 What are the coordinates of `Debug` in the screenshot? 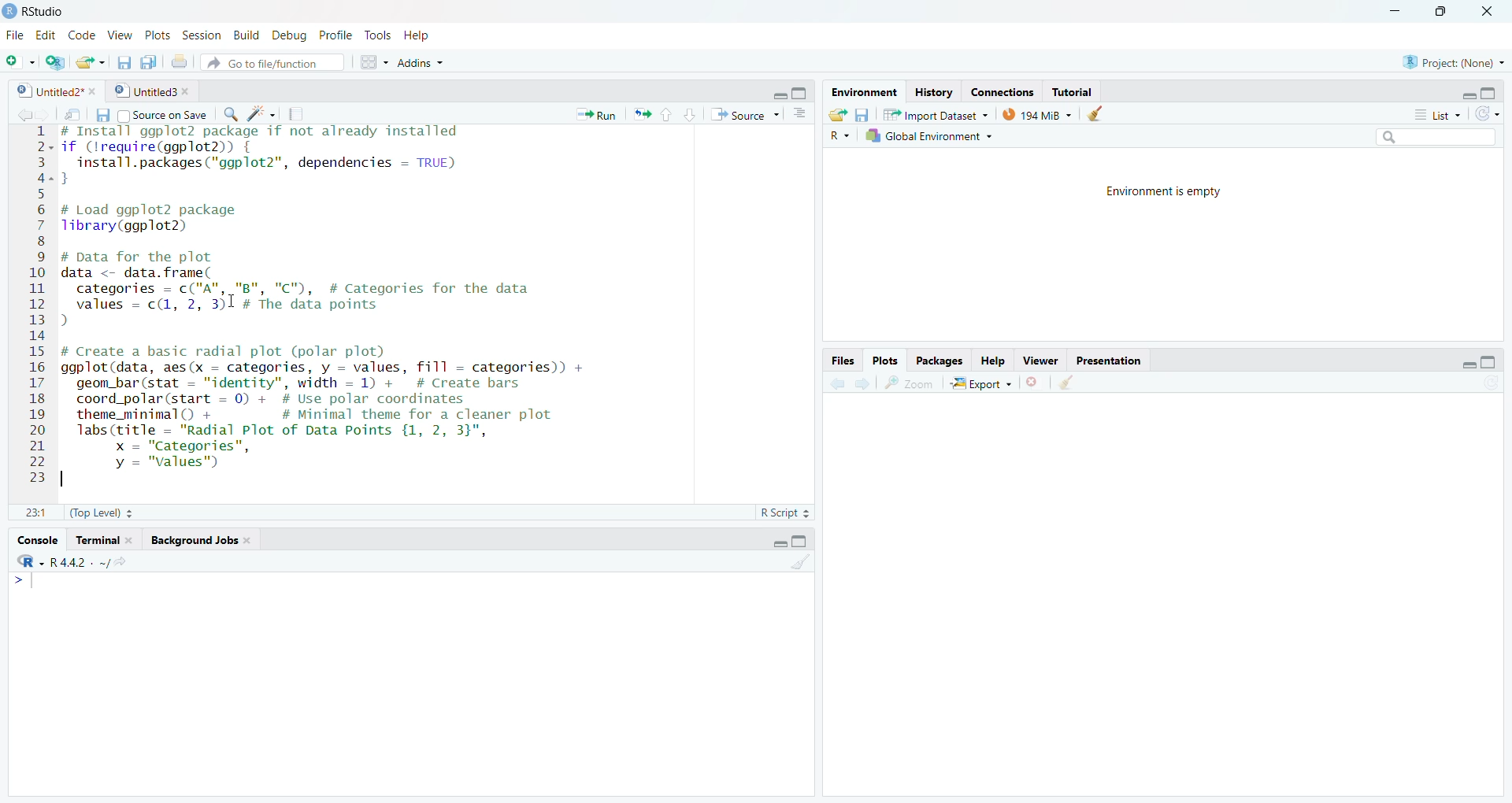 It's located at (288, 36).